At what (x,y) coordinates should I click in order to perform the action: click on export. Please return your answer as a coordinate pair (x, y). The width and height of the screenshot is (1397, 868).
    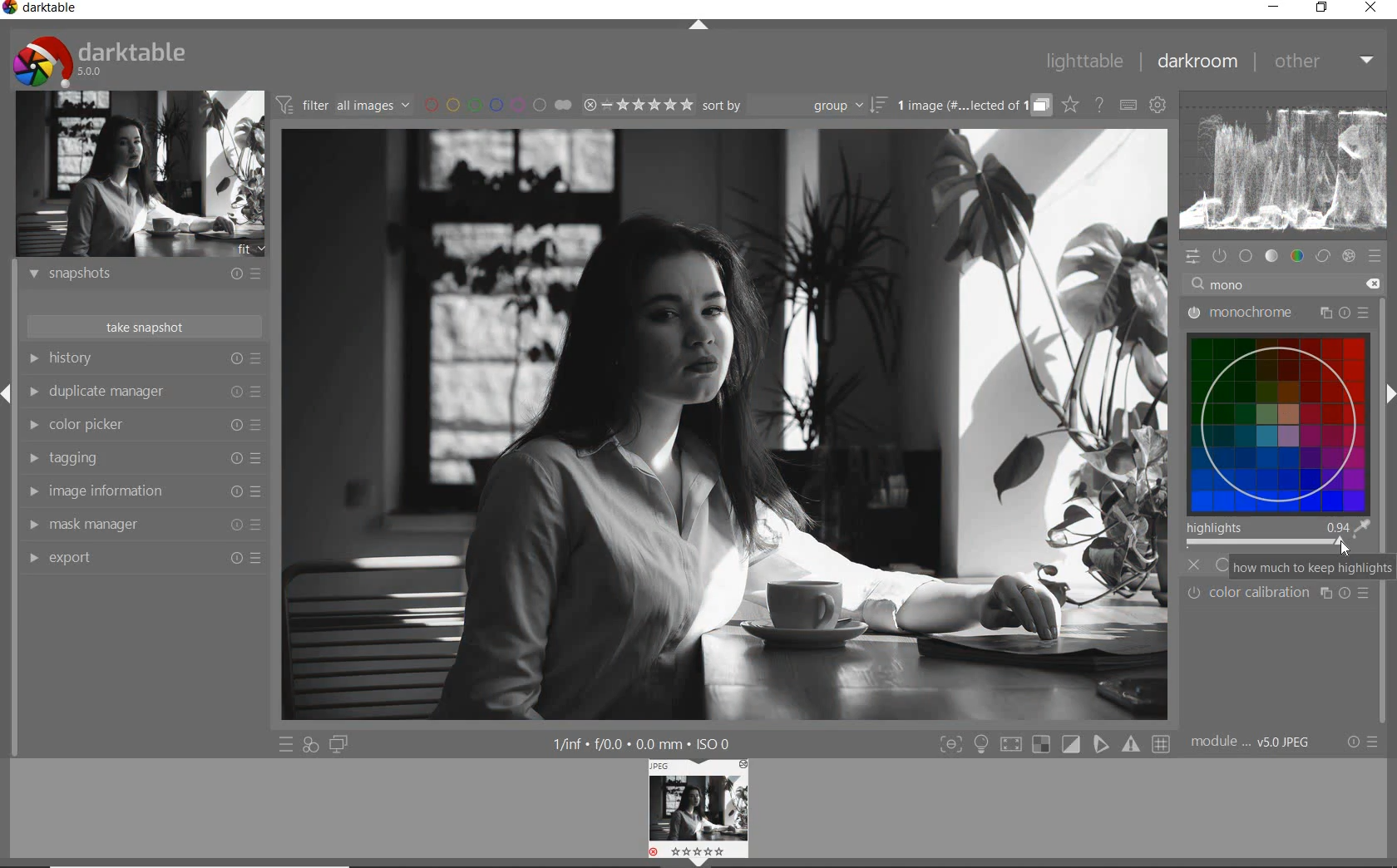
    Looking at the image, I should click on (141, 559).